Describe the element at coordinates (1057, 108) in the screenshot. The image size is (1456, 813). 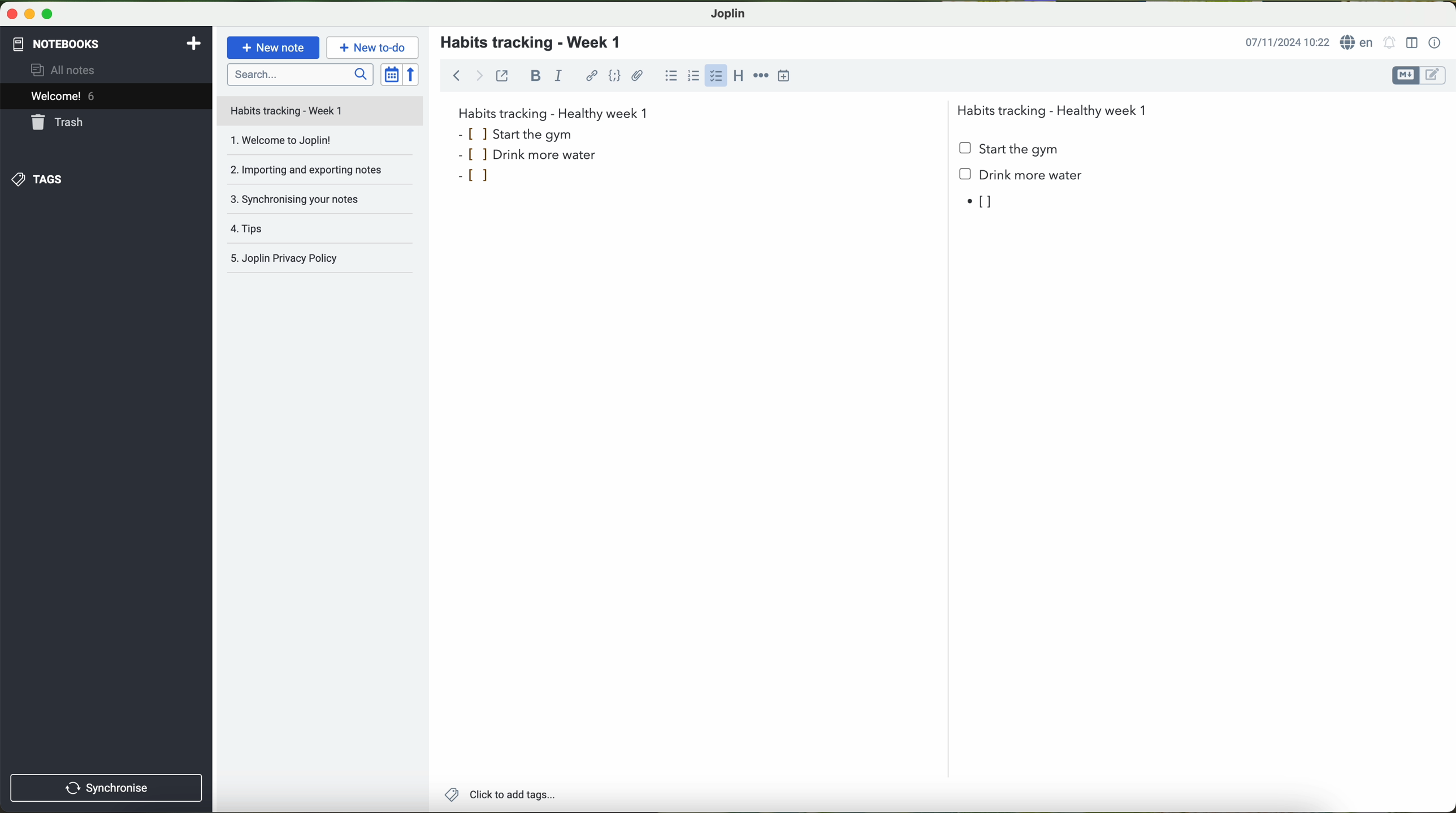
I see `Habits tracking - Healthy week 1` at that location.